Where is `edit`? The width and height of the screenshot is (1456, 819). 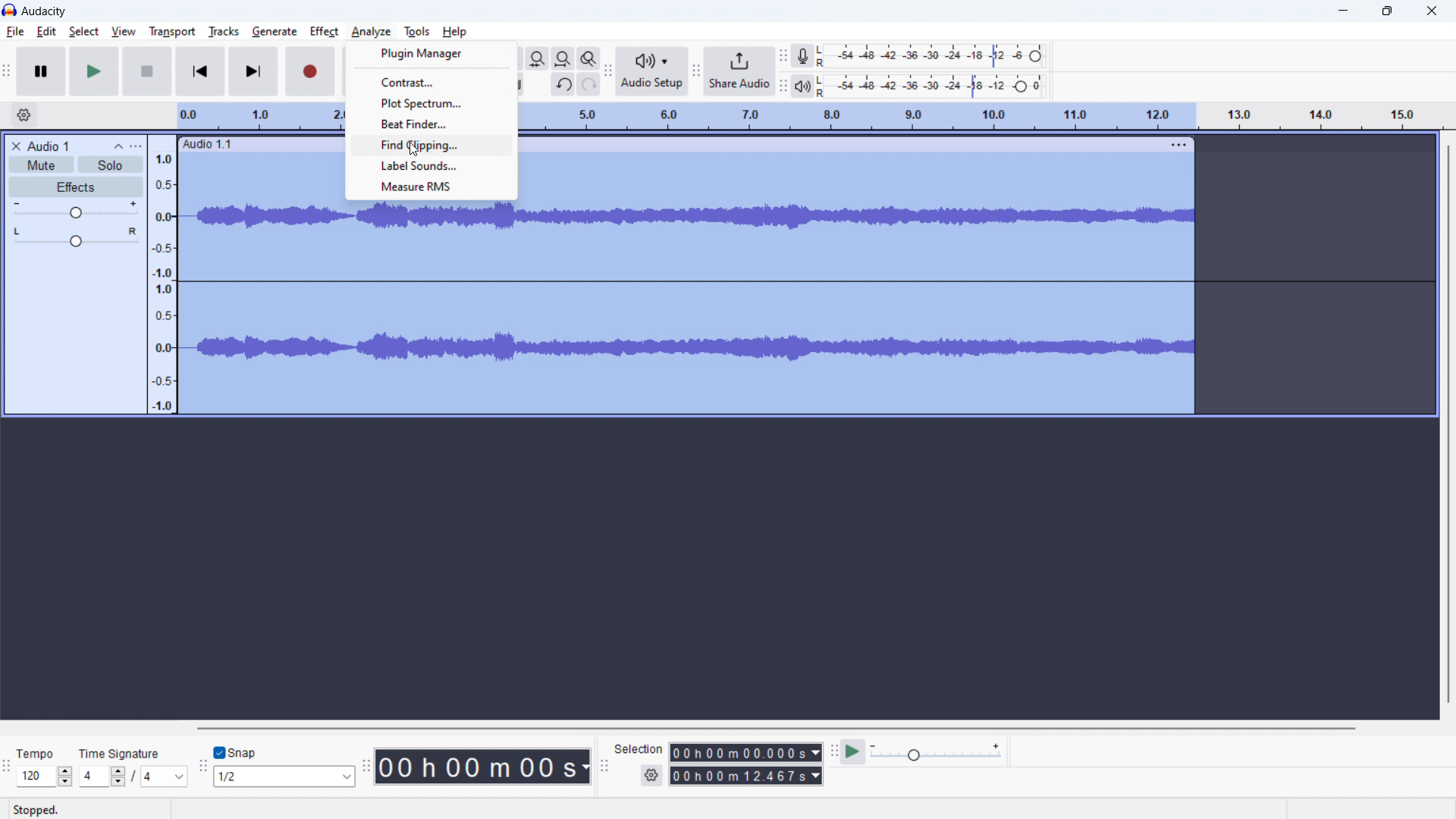 edit is located at coordinates (47, 32).